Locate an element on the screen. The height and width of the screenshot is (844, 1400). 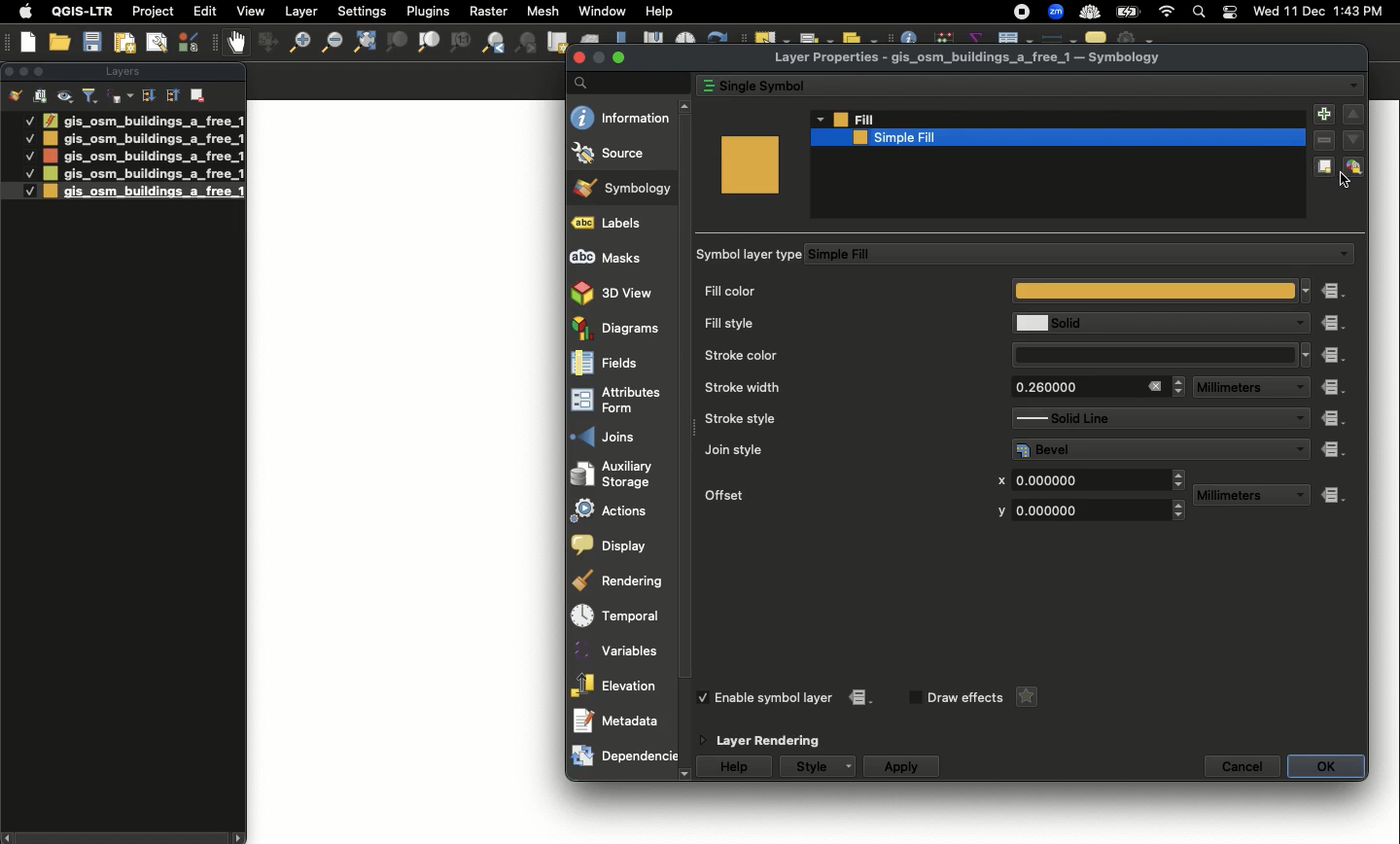
New map view is located at coordinates (556, 43).